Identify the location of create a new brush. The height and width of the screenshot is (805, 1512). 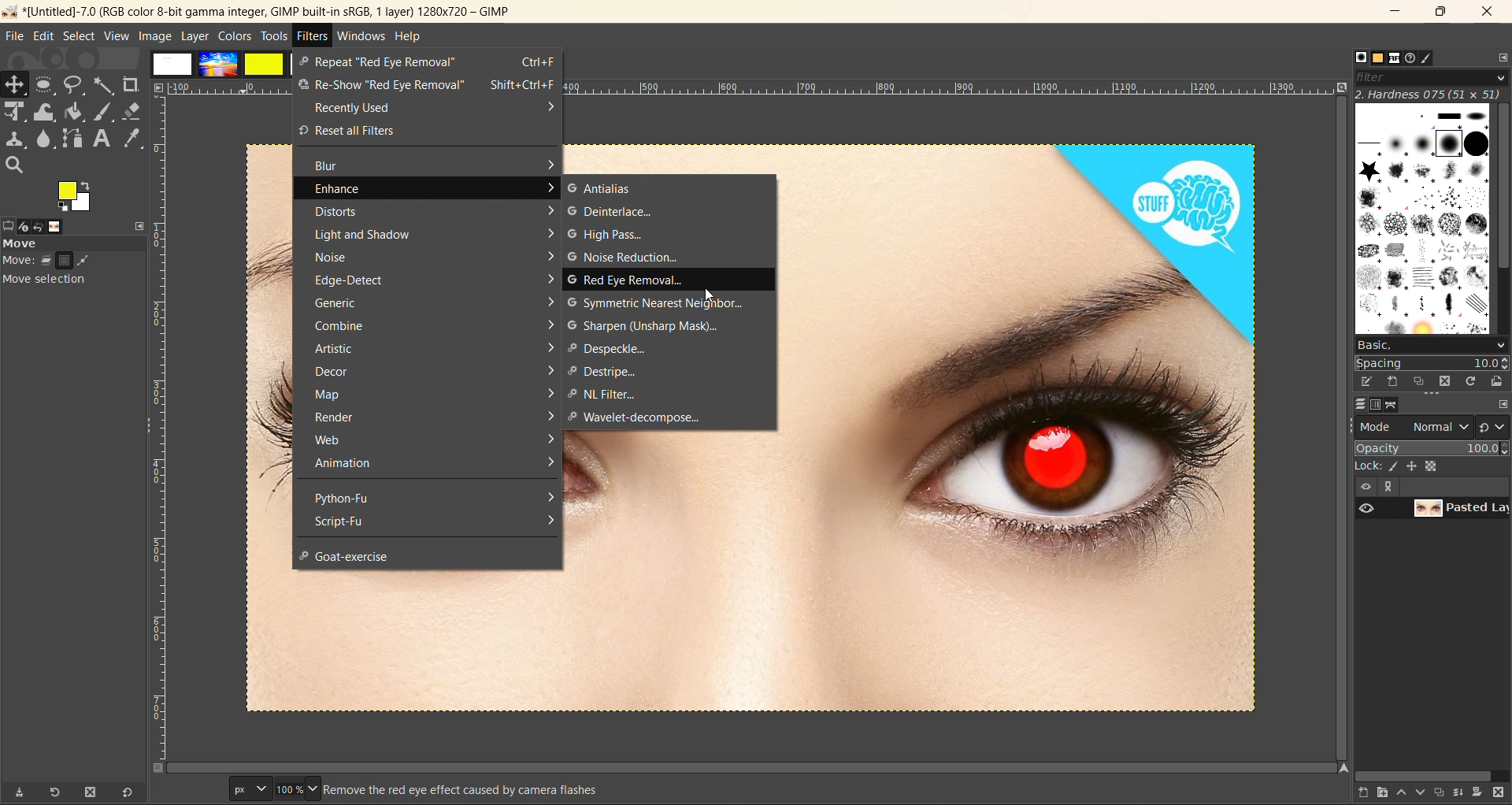
(1392, 381).